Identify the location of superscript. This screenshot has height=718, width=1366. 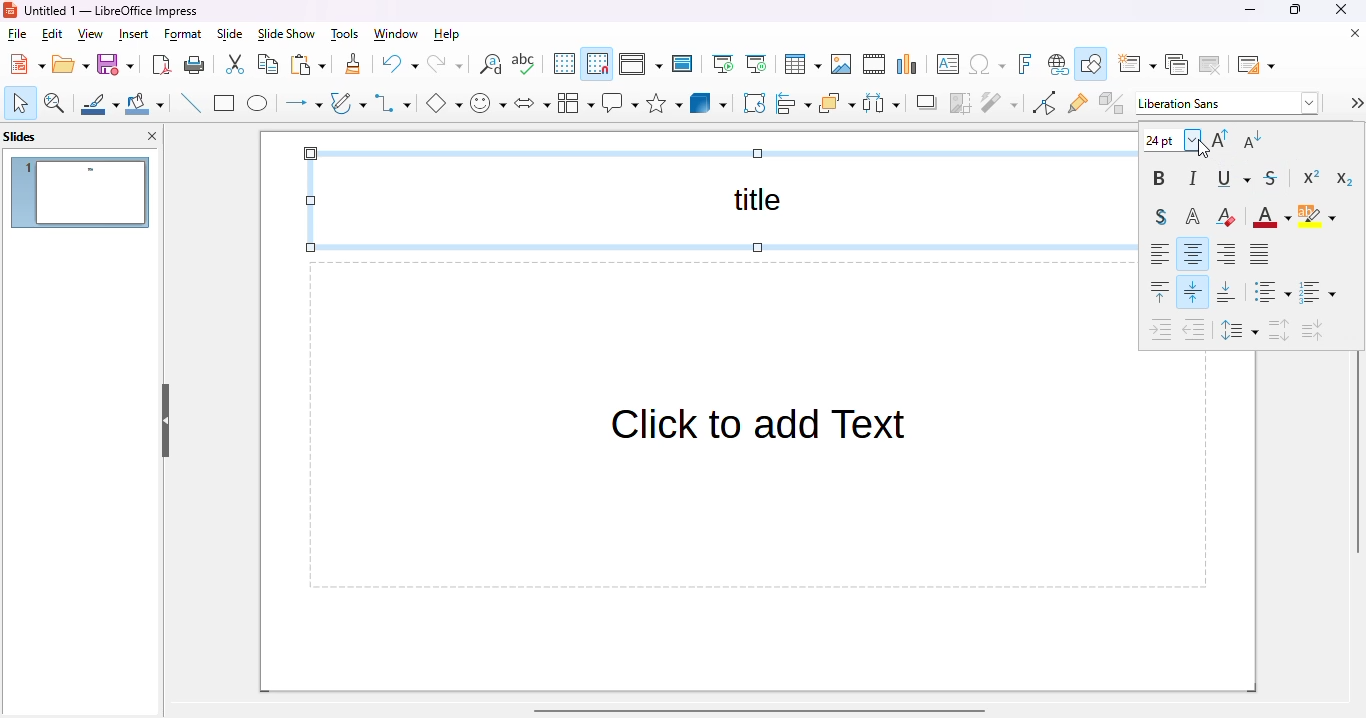
(1313, 177).